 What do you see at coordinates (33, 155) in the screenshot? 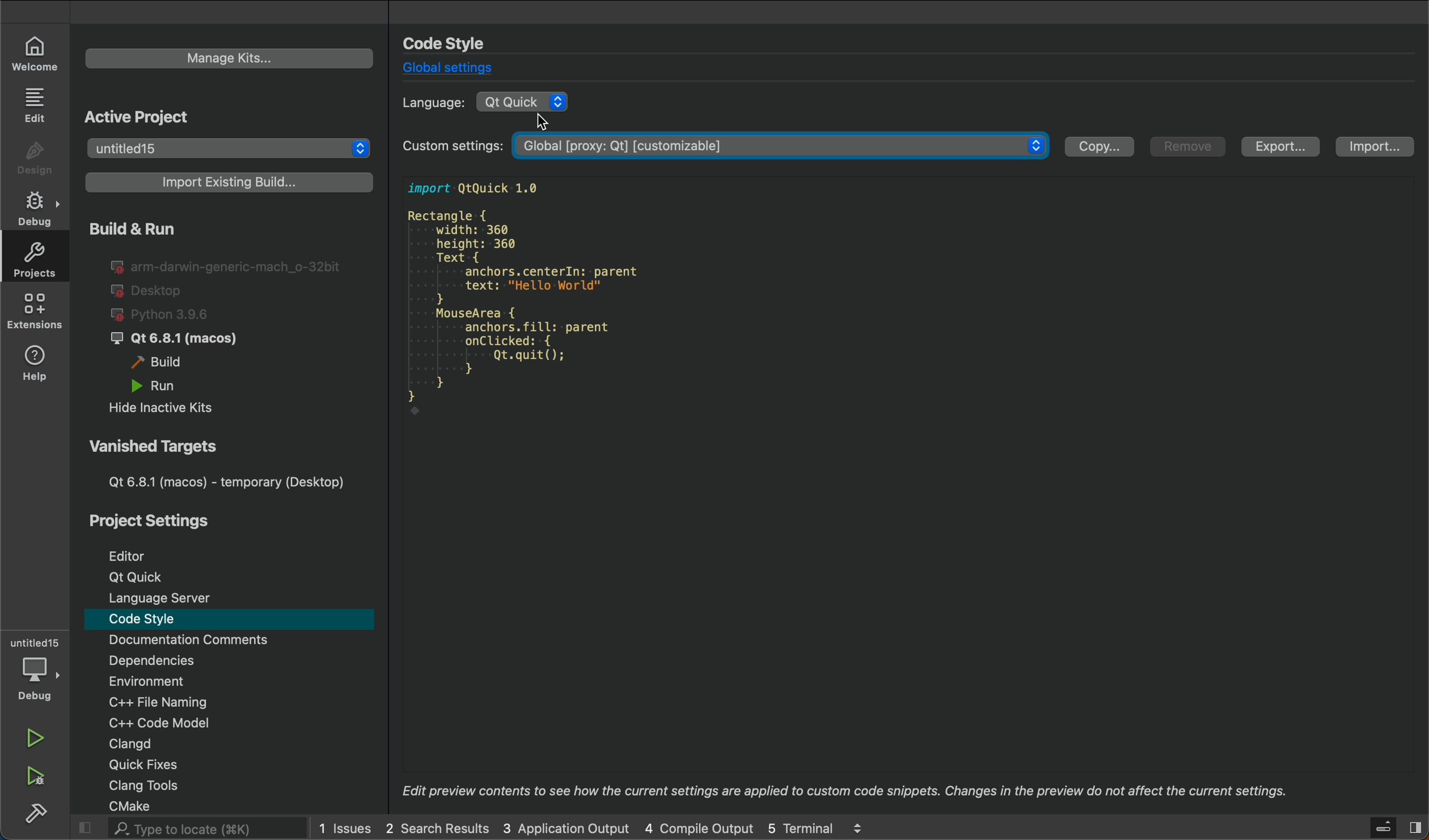
I see `design` at bounding box center [33, 155].